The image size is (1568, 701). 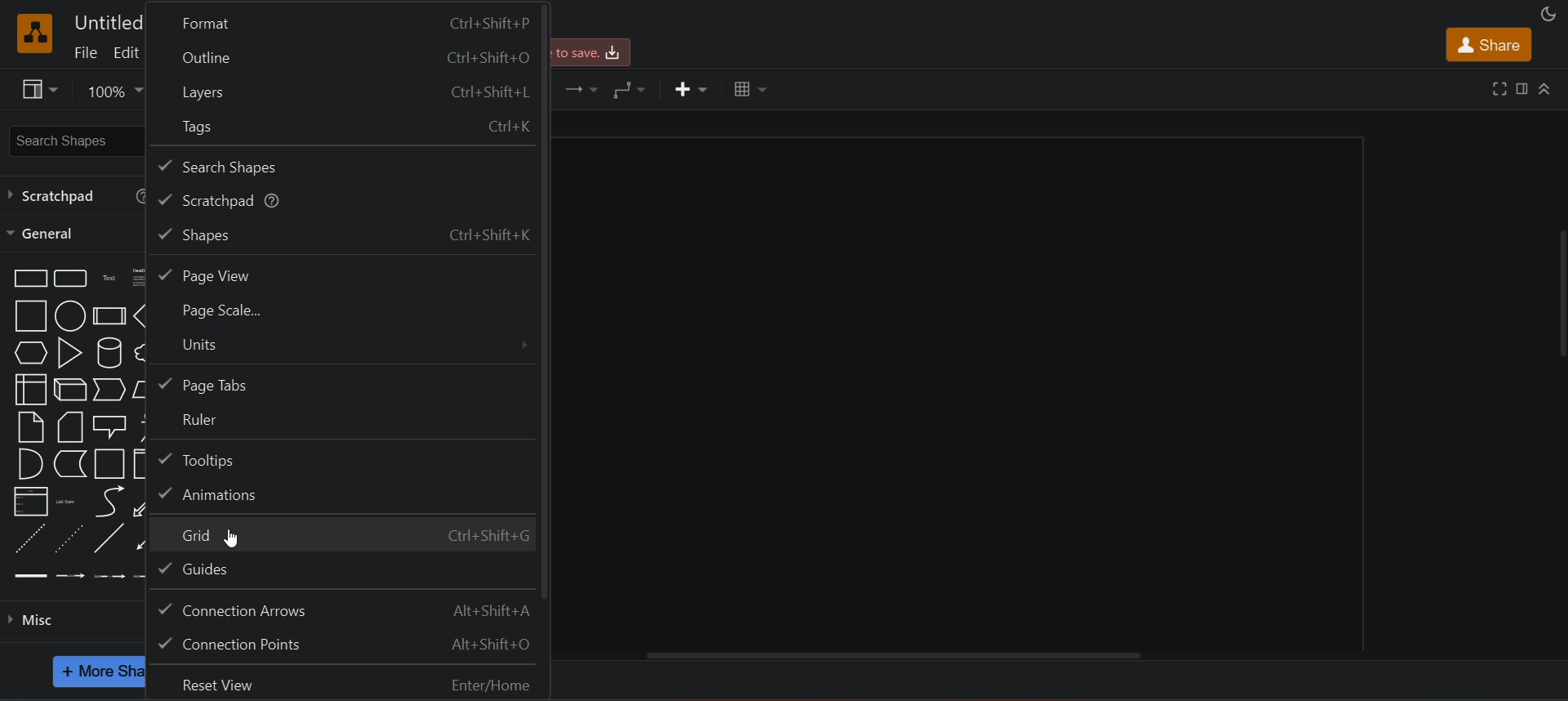 I want to click on connection arrows, so click(x=345, y=611).